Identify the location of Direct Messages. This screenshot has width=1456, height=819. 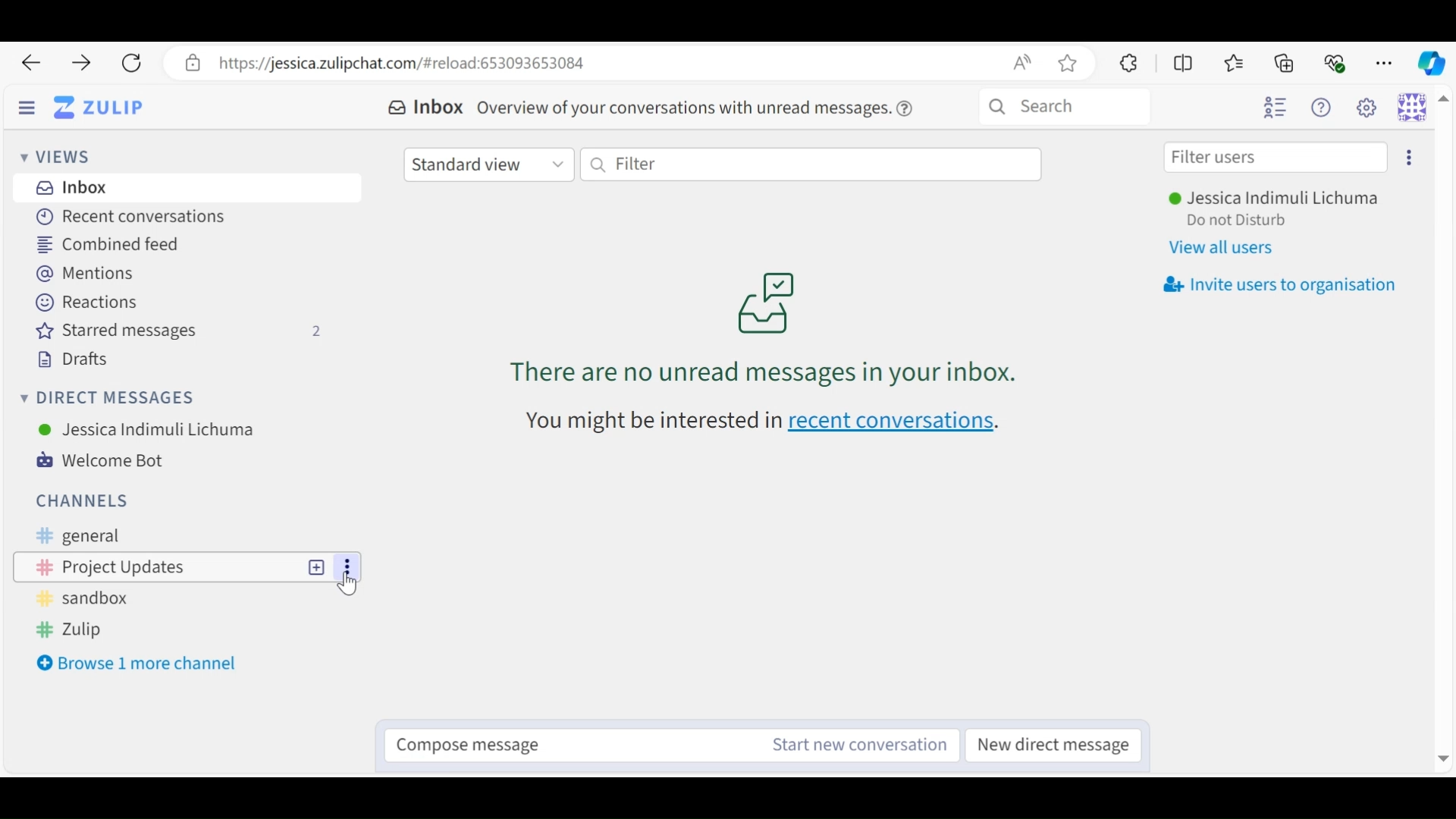
(111, 398).